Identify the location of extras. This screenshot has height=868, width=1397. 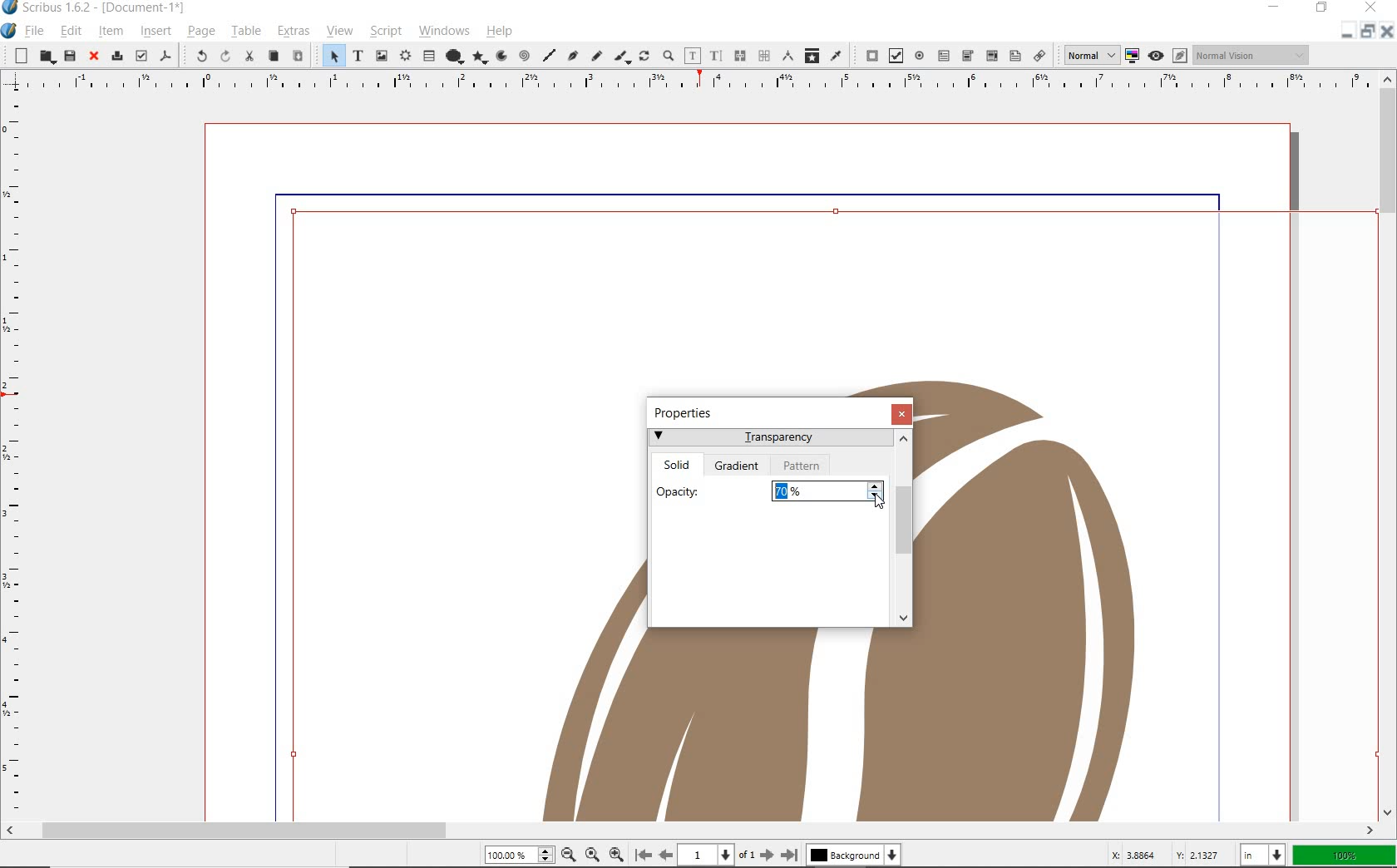
(293, 31).